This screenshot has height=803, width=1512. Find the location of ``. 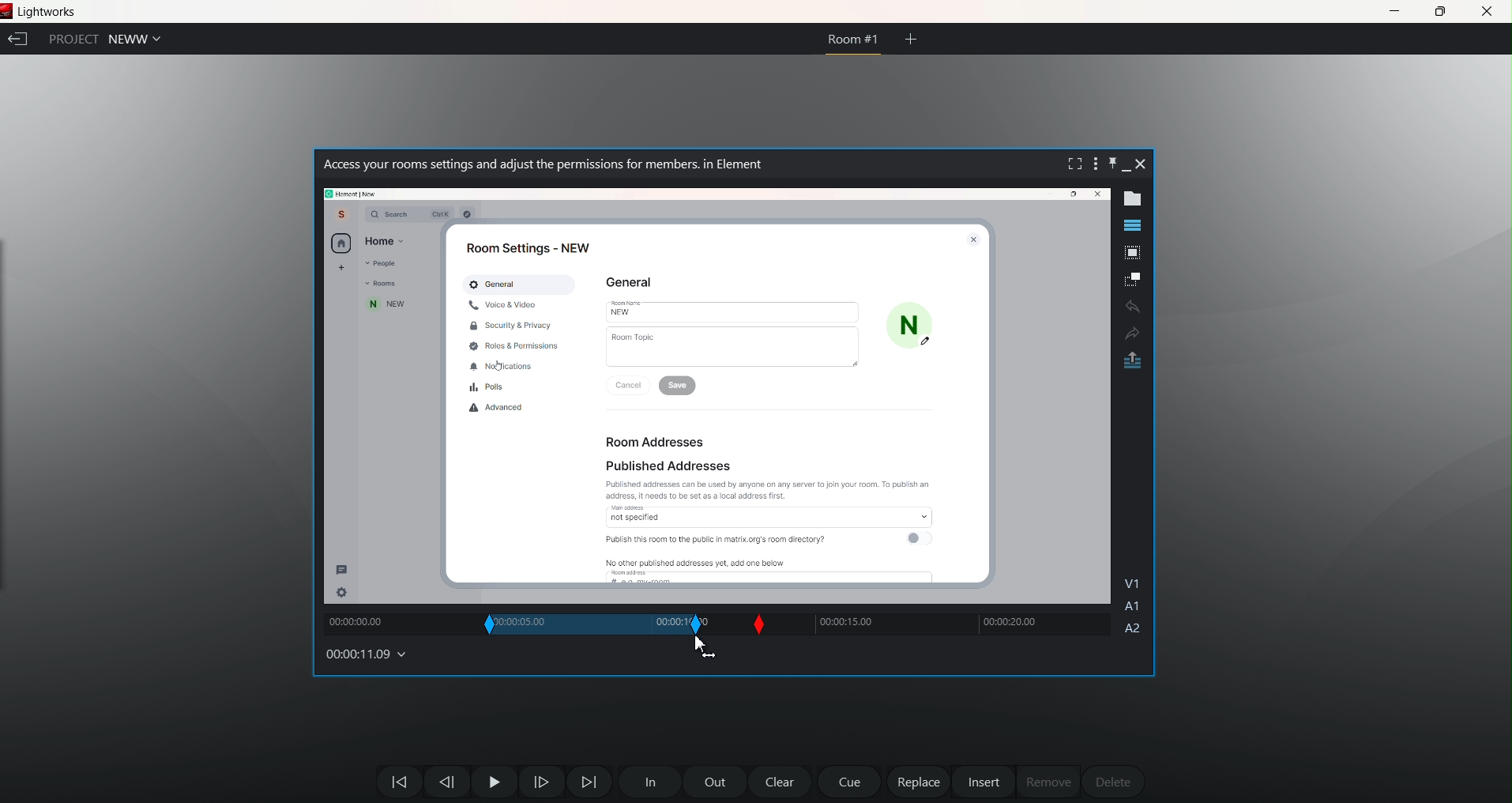

 is located at coordinates (470, 213).